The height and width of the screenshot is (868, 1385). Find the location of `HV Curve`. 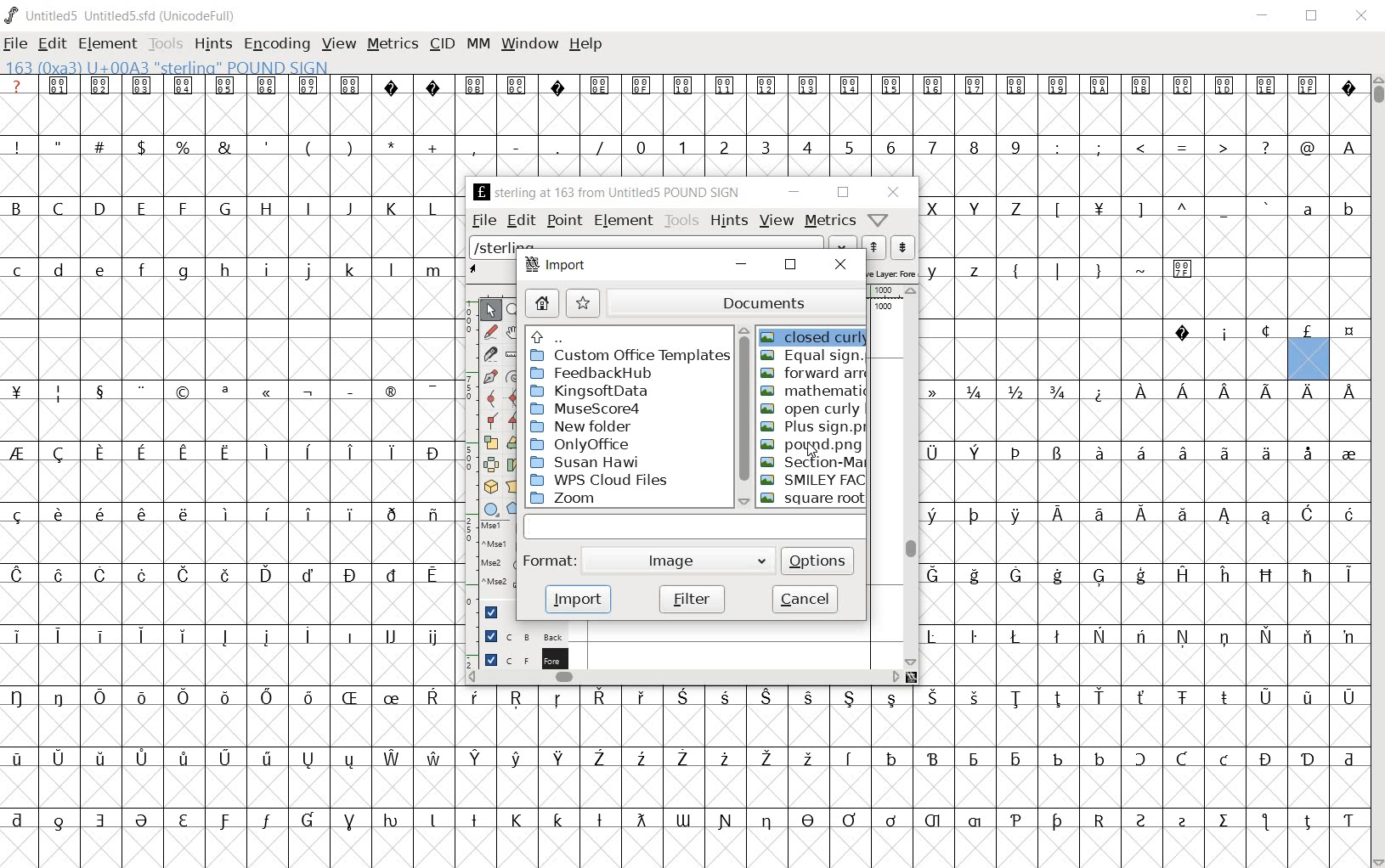

HV Curve is located at coordinates (517, 397).